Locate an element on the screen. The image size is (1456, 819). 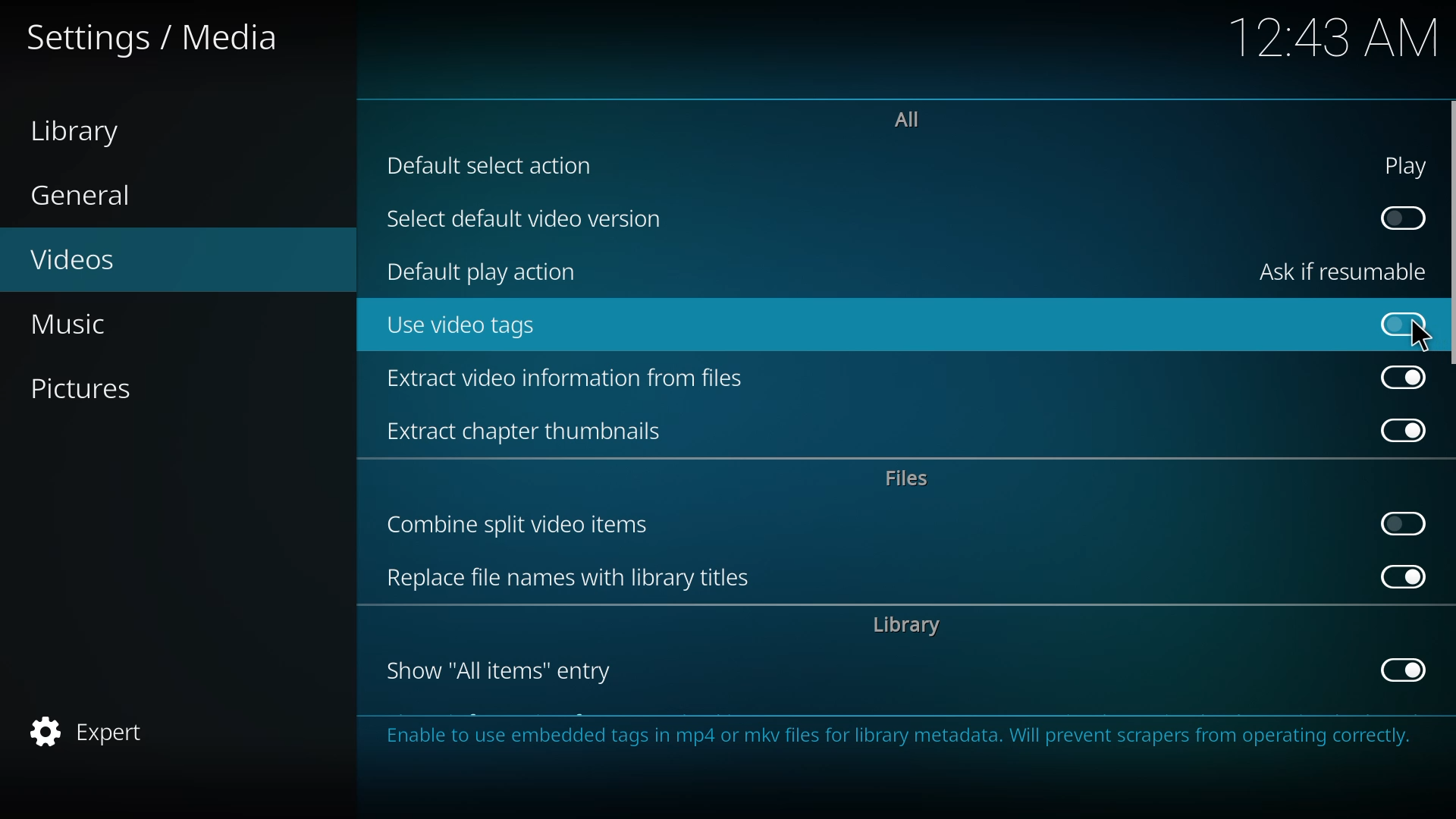
expert is located at coordinates (96, 730).